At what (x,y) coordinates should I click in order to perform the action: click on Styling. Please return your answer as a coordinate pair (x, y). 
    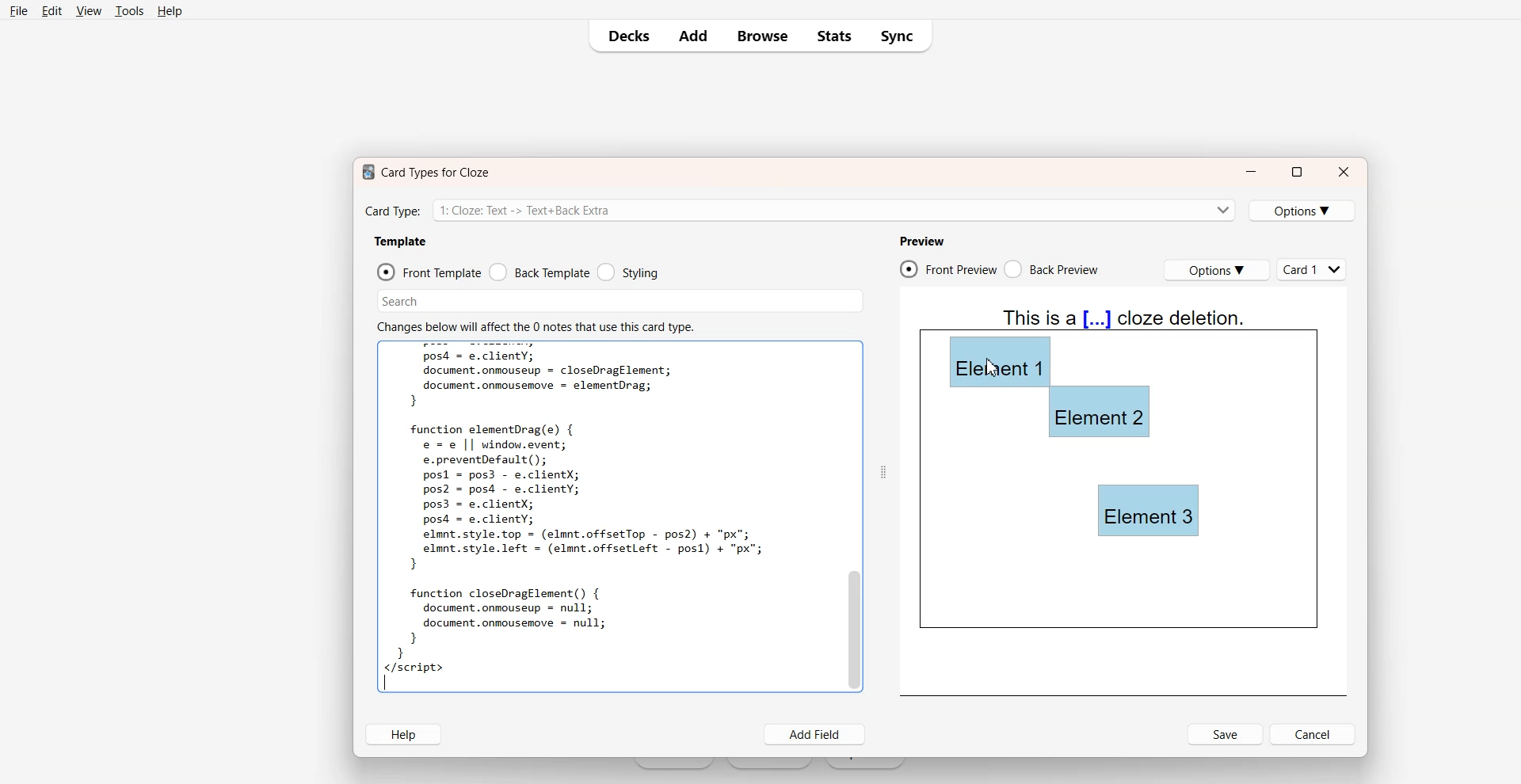
    Looking at the image, I should click on (627, 272).